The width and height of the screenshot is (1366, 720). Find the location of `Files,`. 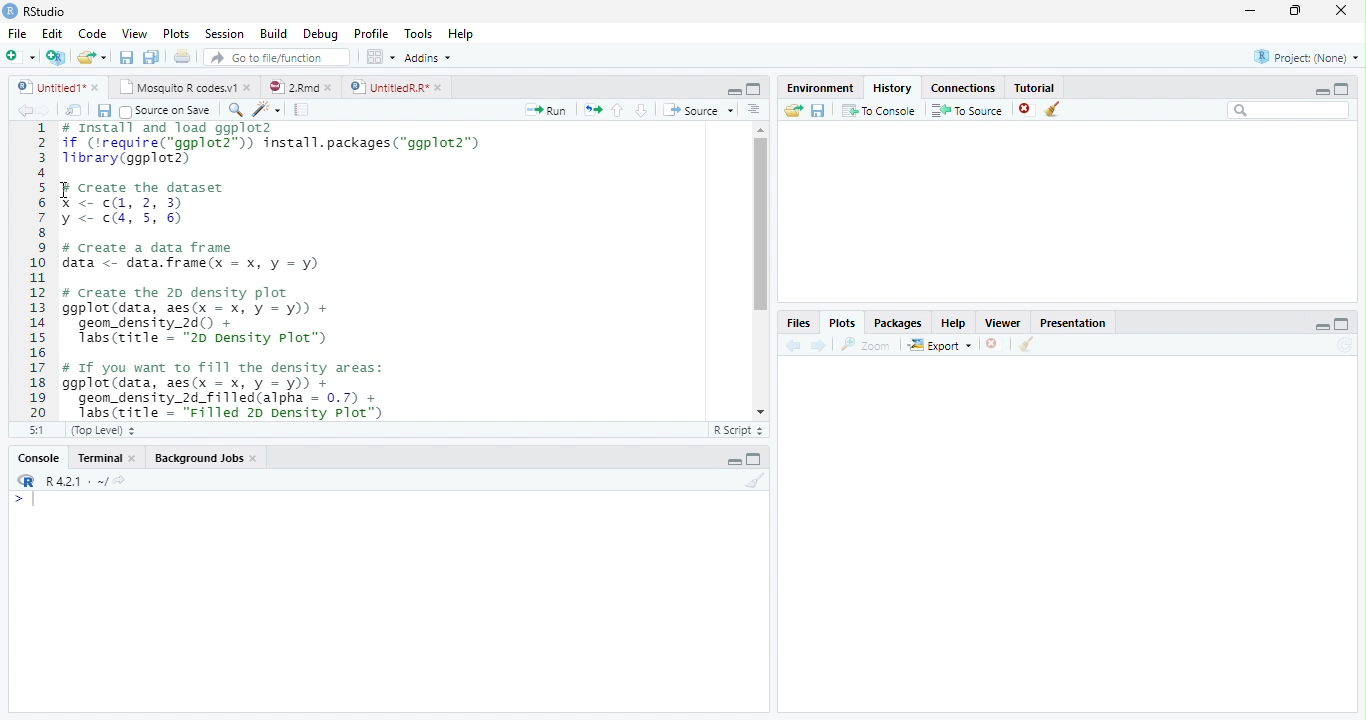

Files, is located at coordinates (795, 323).